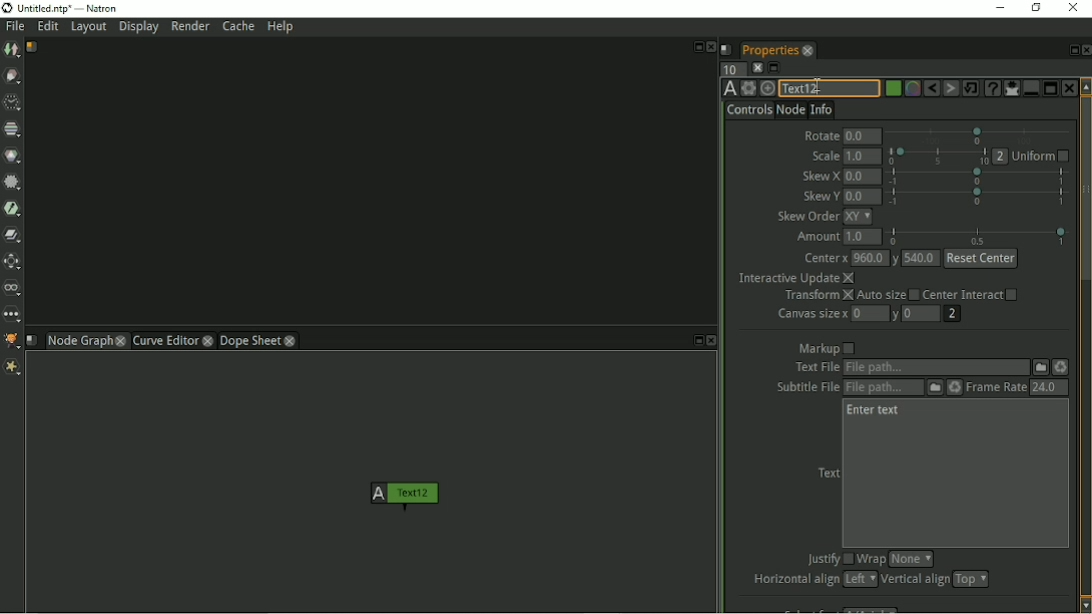  Describe the element at coordinates (980, 196) in the screenshot. I see `selection bar` at that location.